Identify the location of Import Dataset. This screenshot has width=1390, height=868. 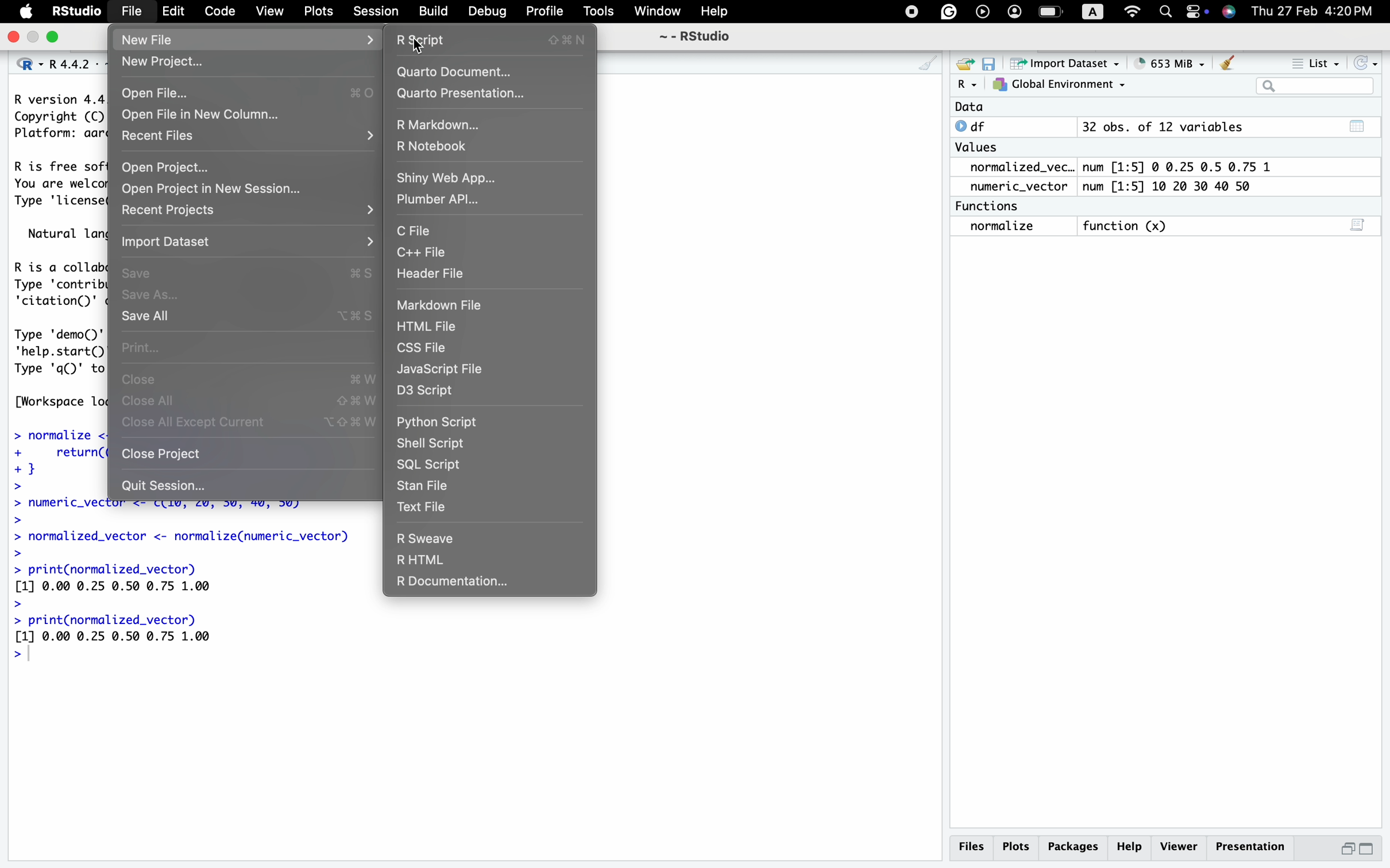
(1068, 63).